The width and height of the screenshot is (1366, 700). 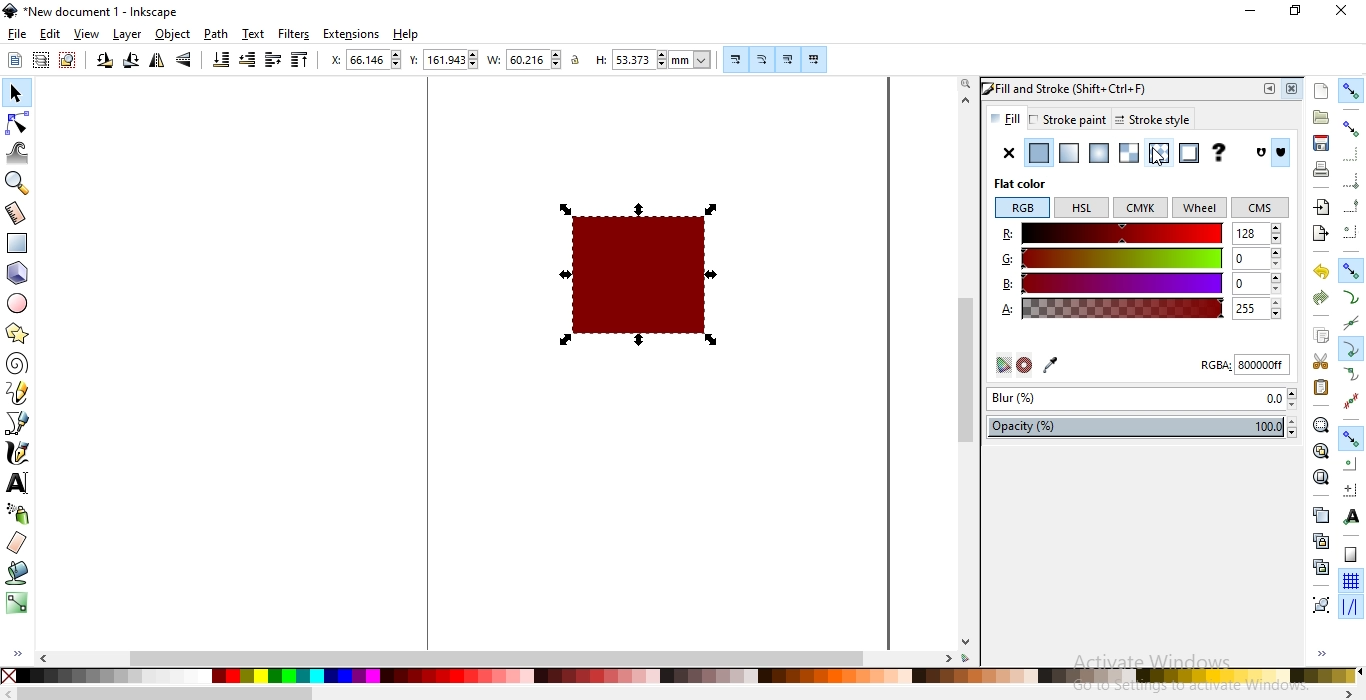 I want to click on fill, so click(x=1005, y=118).